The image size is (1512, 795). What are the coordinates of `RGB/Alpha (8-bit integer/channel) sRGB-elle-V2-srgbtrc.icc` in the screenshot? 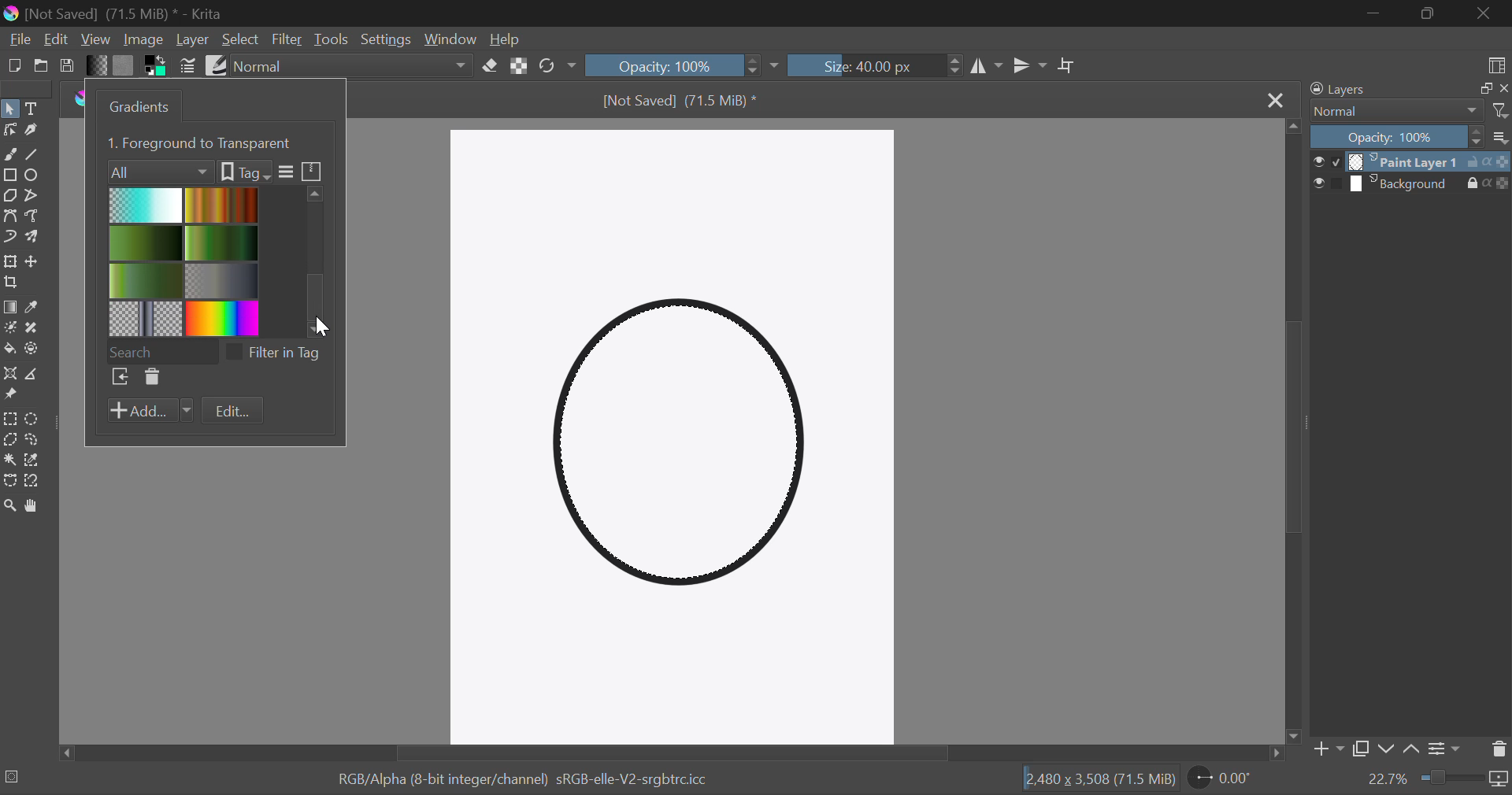 It's located at (526, 779).